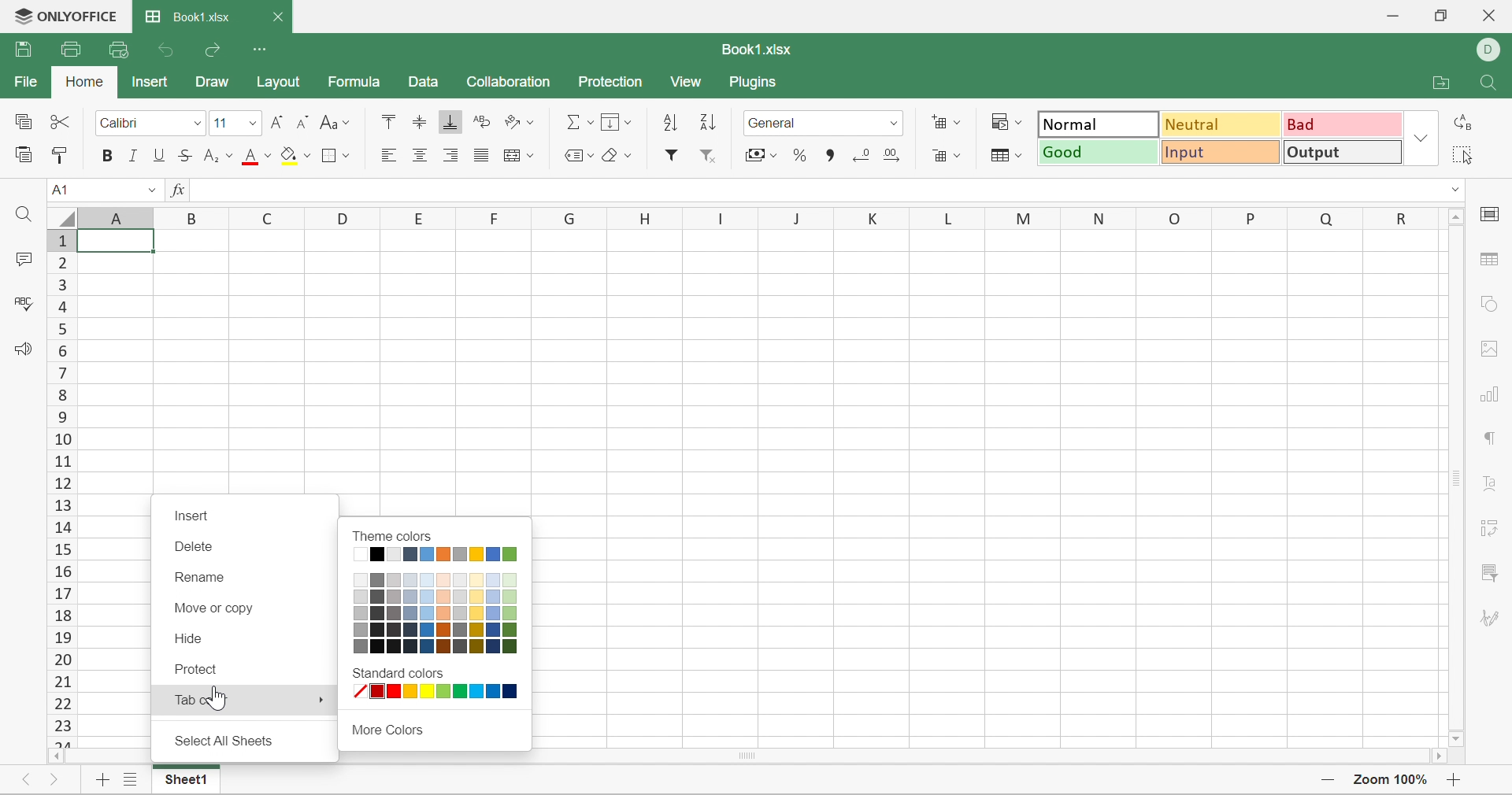  What do you see at coordinates (65, 419) in the screenshot?
I see `9` at bounding box center [65, 419].